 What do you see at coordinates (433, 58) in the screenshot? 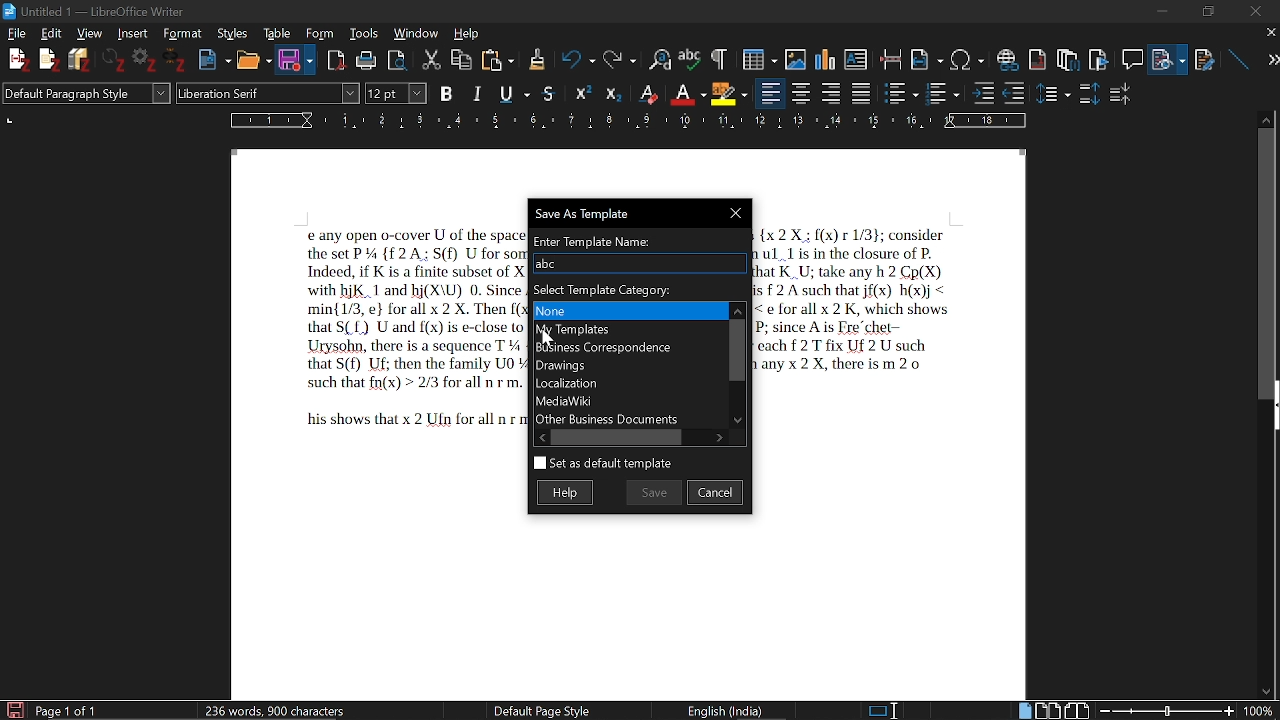
I see `Cut` at bounding box center [433, 58].